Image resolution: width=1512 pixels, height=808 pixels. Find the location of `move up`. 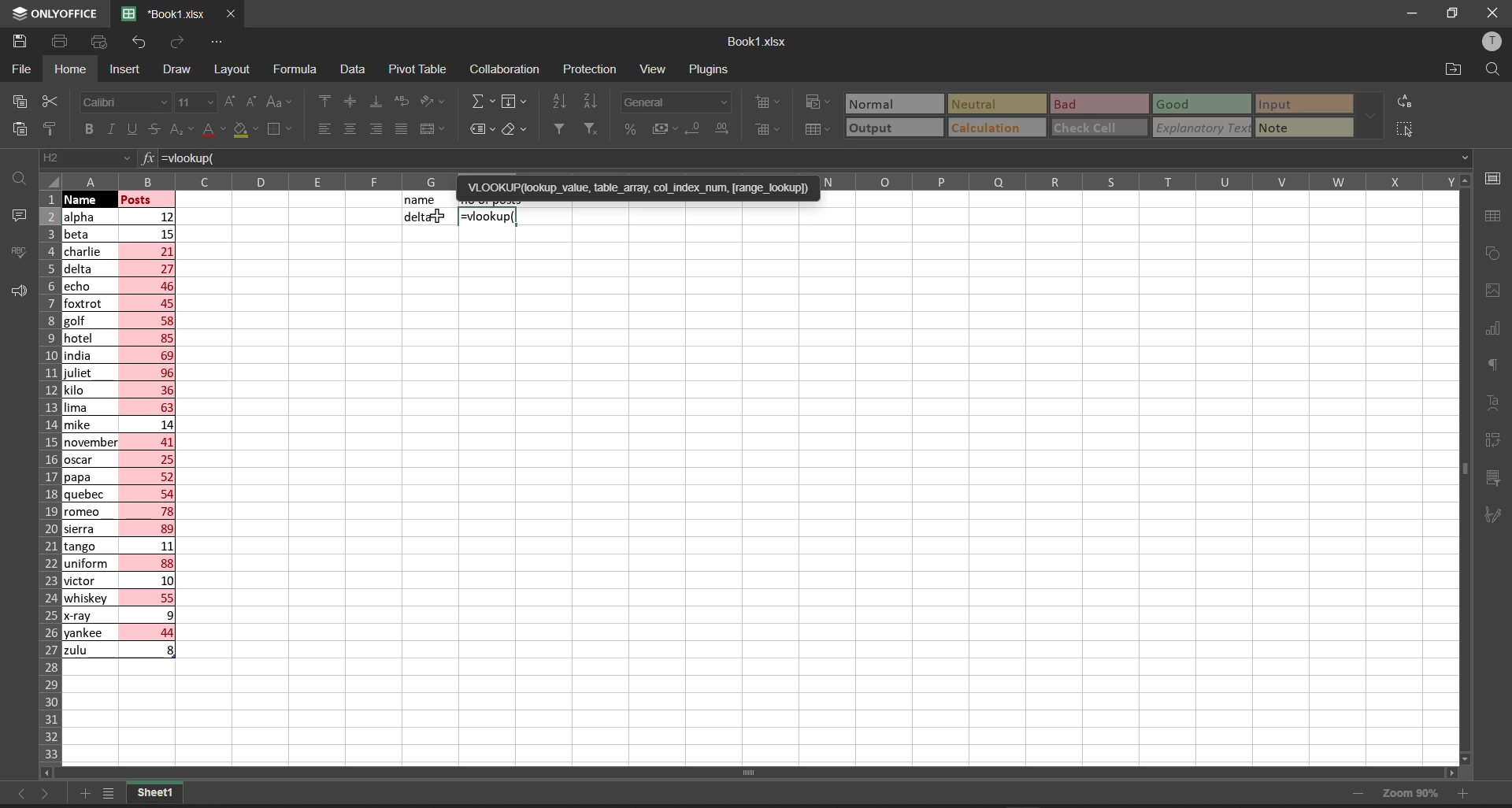

move up is located at coordinates (1461, 180).